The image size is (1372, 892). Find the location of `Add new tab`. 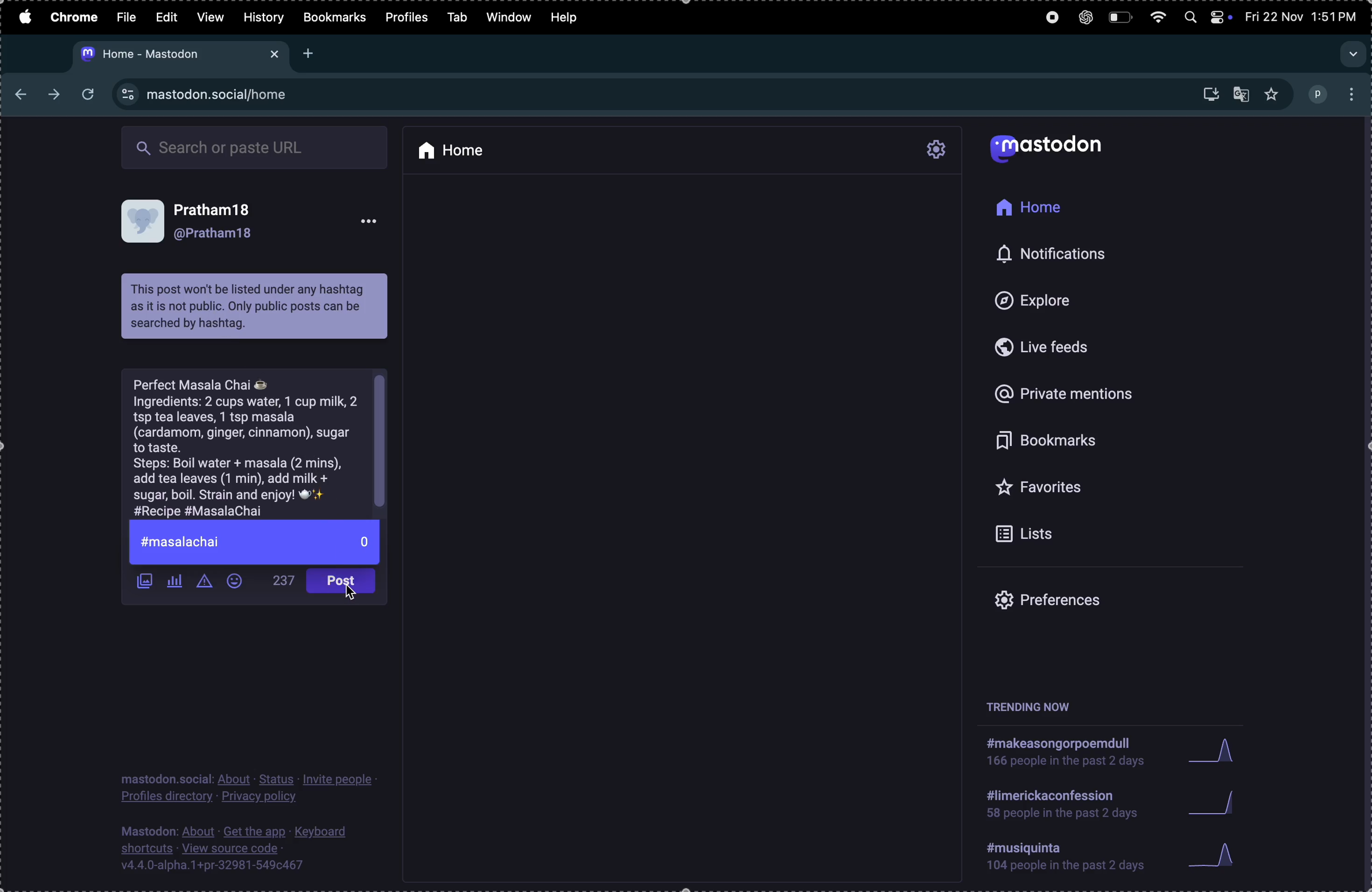

Add new tab is located at coordinates (307, 55).